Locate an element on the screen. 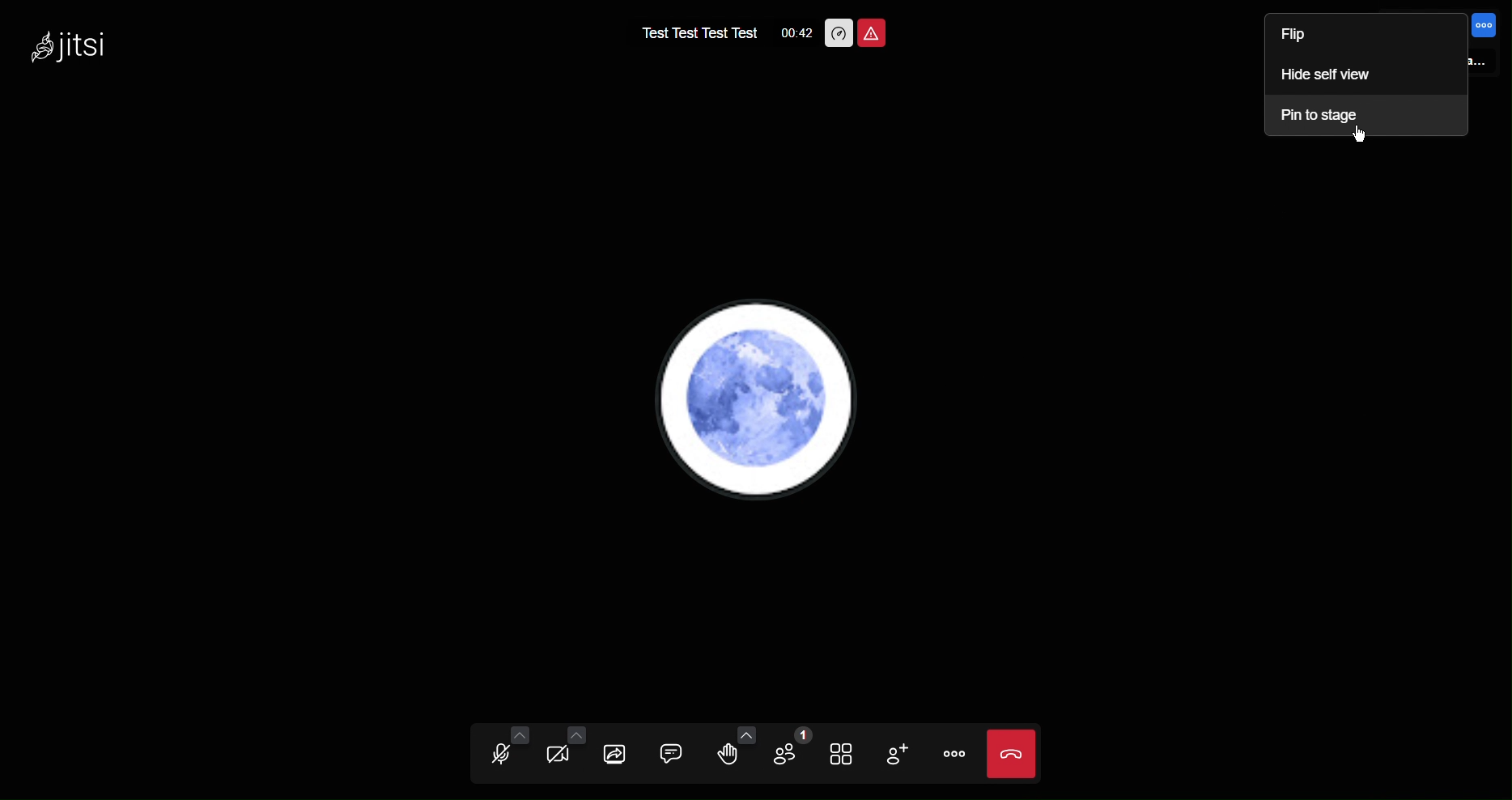  cursor is located at coordinates (1364, 137).